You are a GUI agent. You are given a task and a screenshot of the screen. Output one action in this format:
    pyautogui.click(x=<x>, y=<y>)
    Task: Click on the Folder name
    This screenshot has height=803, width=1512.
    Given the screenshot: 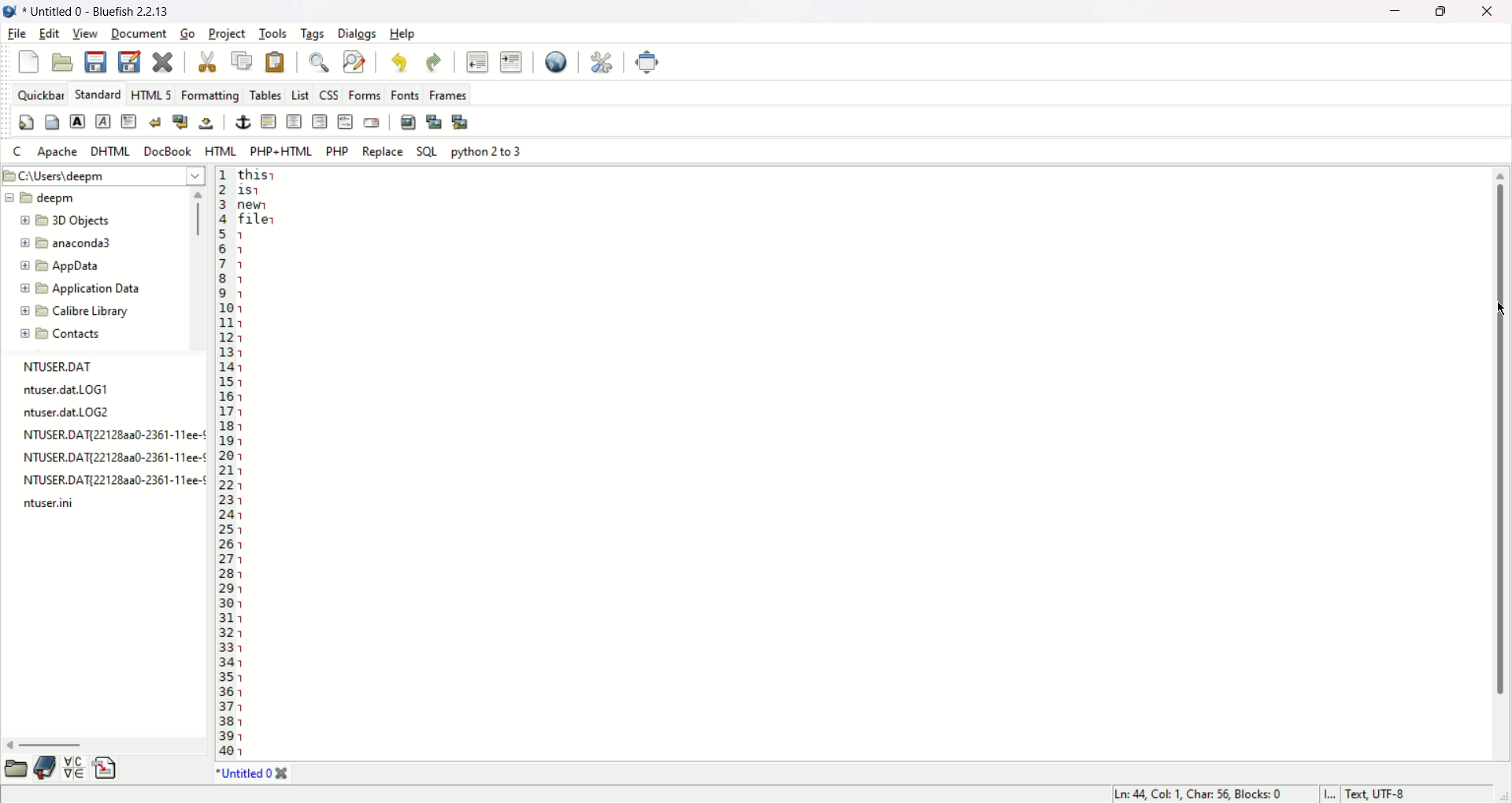 What is the action you would take?
    pyautogui.click(x=87, y=267)
    